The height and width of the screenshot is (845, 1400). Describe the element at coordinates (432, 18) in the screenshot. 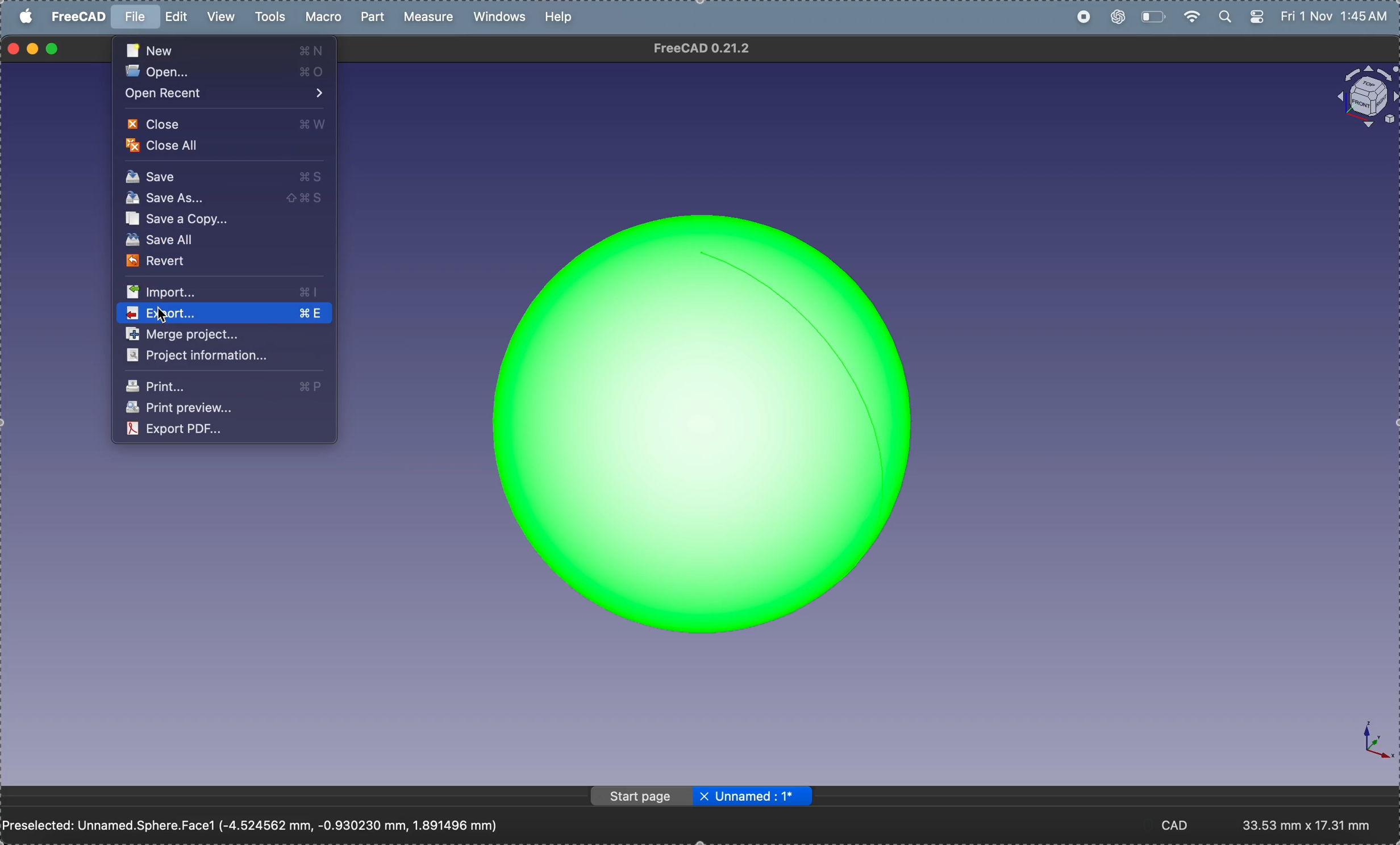

I see `measure` at that location.